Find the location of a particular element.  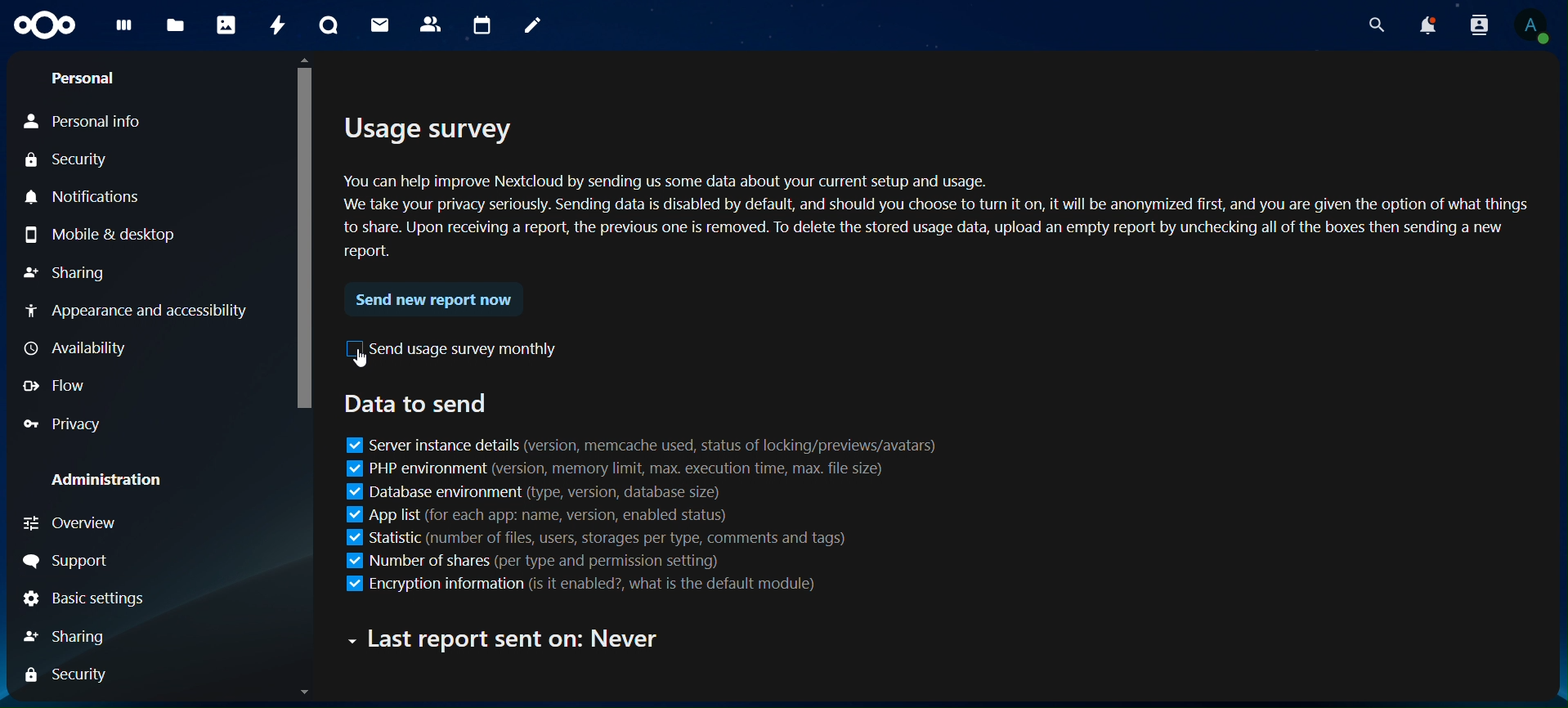

Appearance and accessibility is located at coordinates (135, 311).